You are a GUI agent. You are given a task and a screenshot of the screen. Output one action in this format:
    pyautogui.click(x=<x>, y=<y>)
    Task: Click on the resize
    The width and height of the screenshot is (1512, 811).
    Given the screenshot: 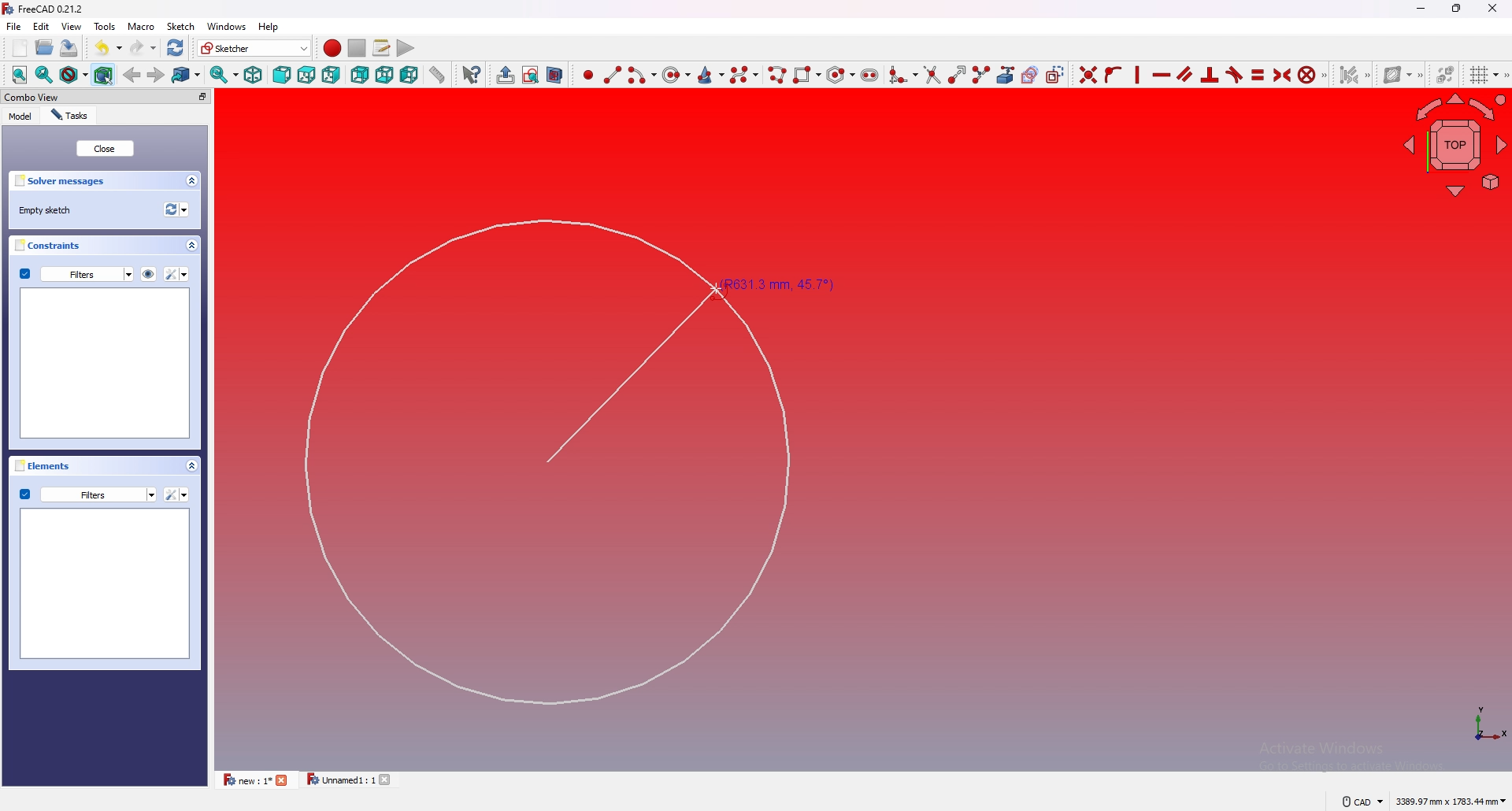 What is the action you would take?
    pyautogui.click(x=1458, y=8)
    